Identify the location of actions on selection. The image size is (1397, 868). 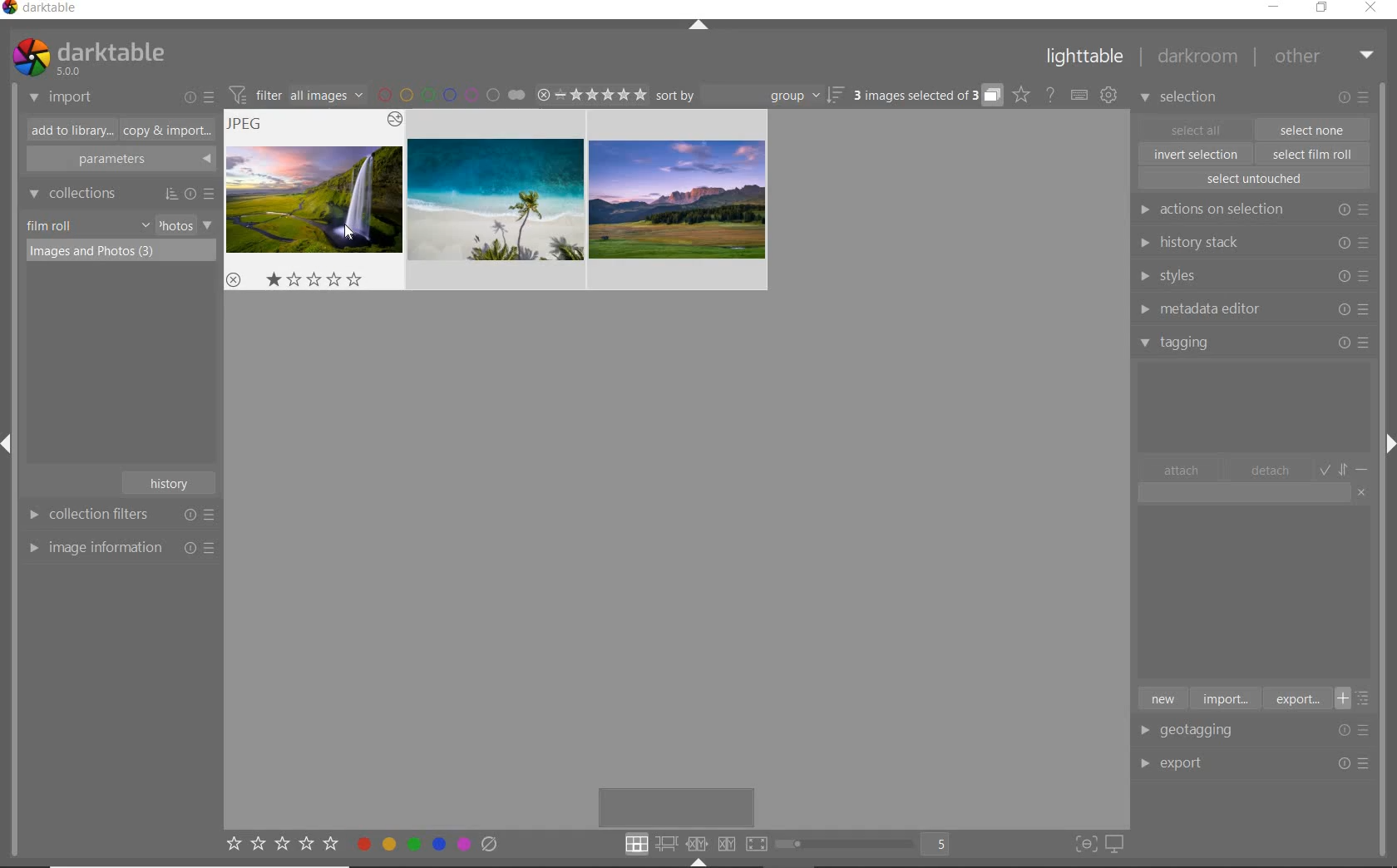
(1251, 210).